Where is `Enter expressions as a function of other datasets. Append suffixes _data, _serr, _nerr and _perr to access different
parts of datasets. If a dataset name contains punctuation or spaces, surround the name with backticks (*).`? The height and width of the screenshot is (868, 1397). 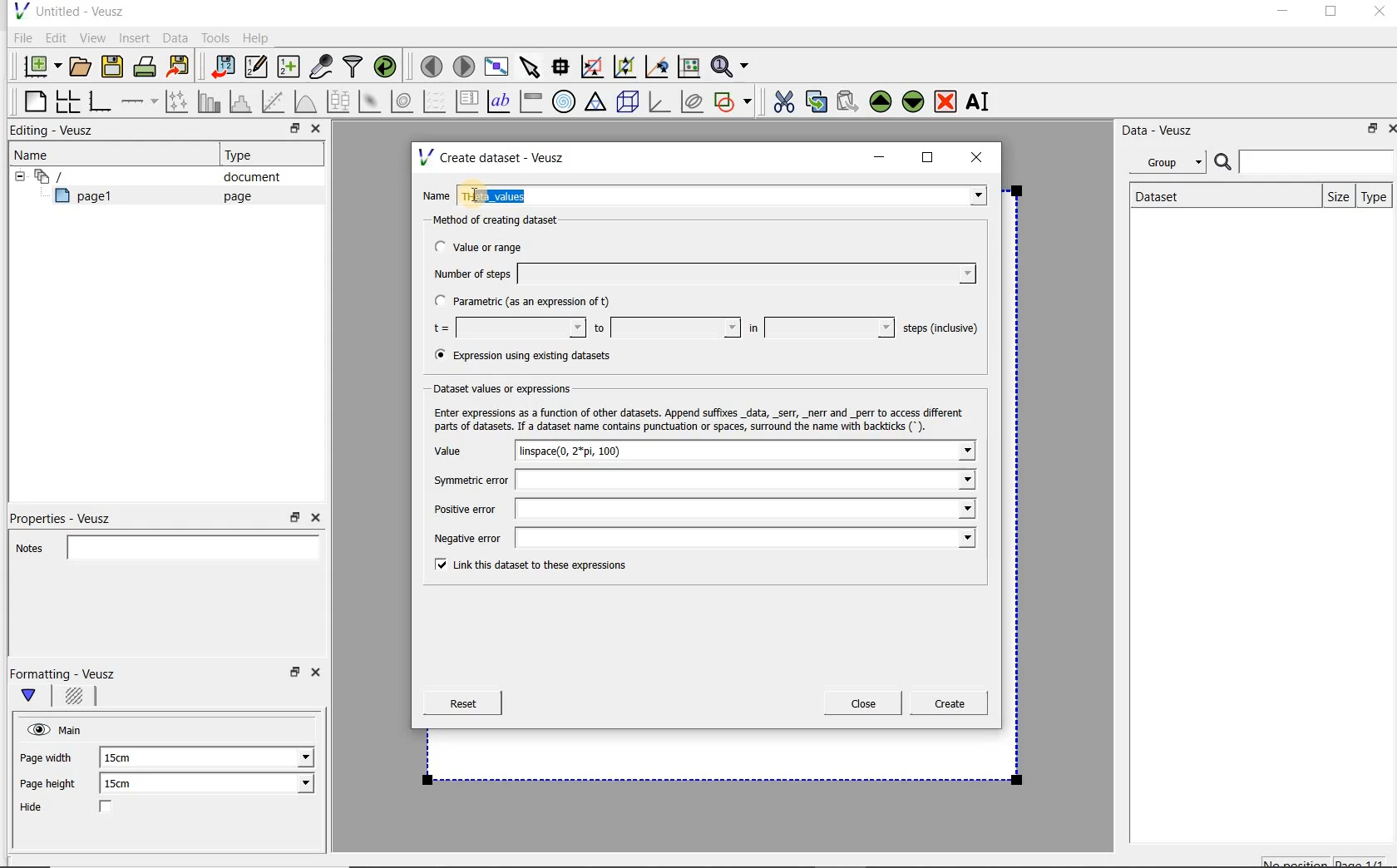
Enter expressions as a function of other datasets. Append suffixes _data, _serr, _nerr and _perr to access different
parts of datasets. If a dataset name contains punctuation or spaces, surround the name with backticks (*). is located at coordinates (703, 419).